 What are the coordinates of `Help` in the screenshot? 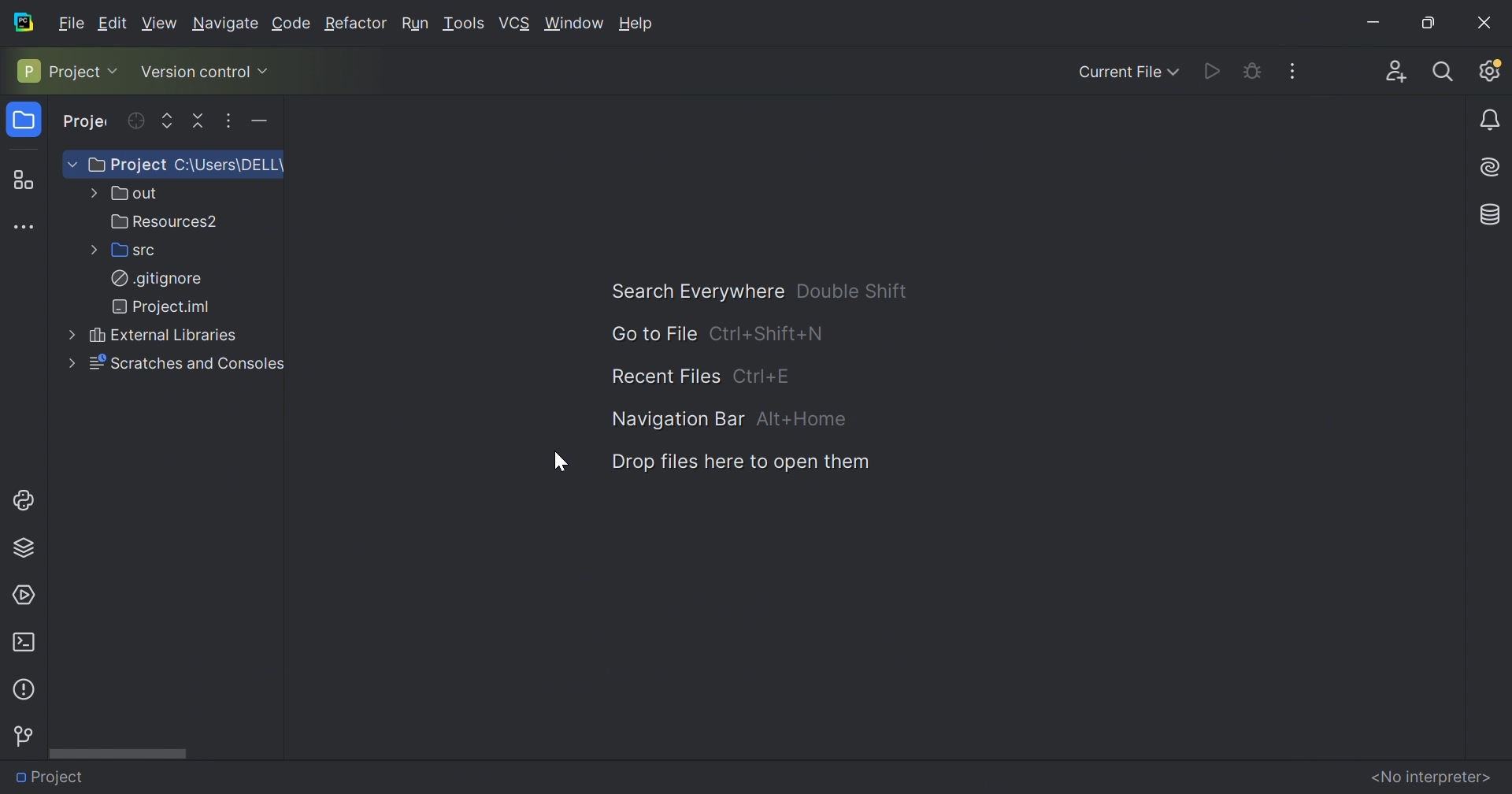 It's located at (637, 23).